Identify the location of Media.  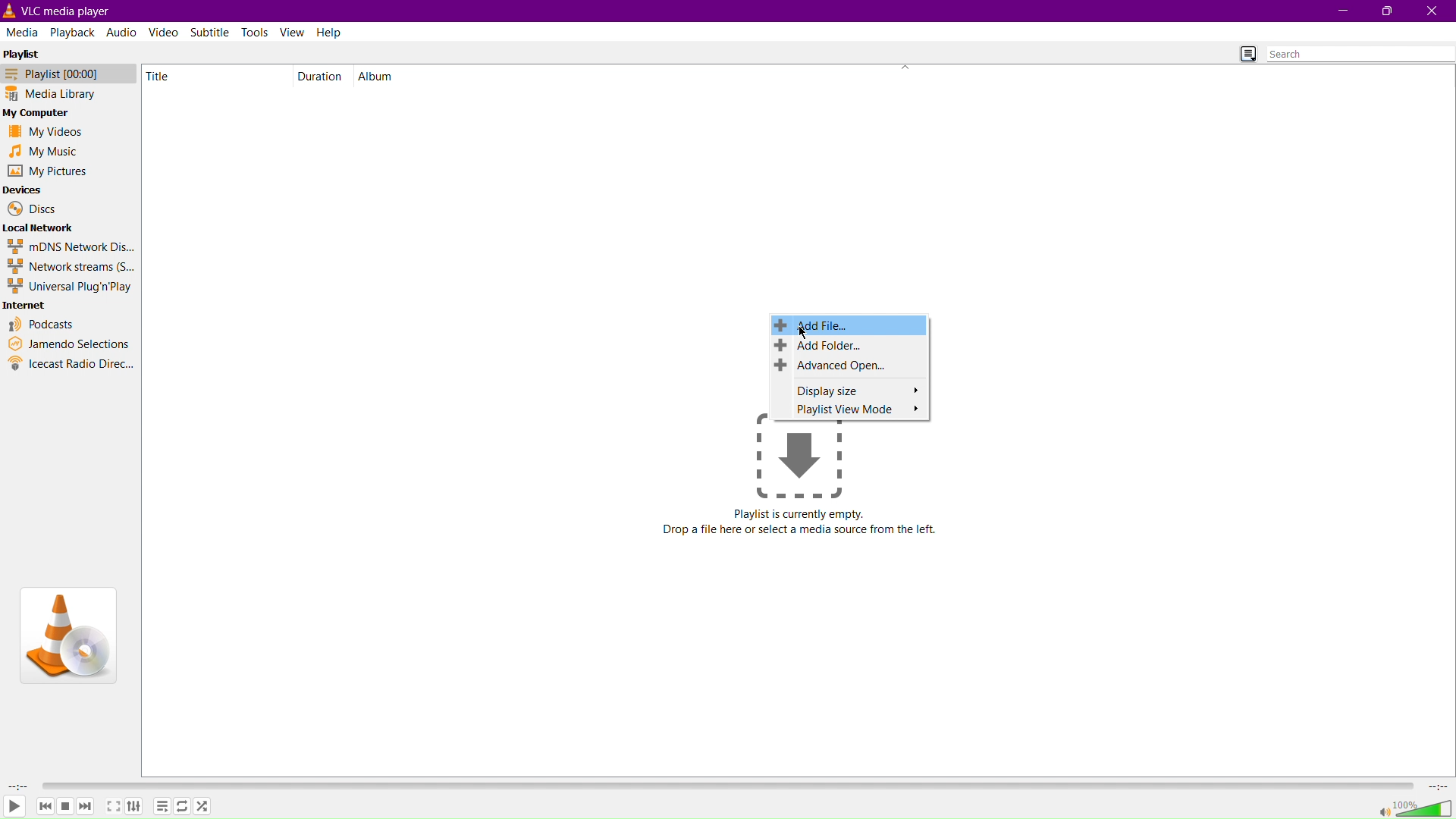
(23, 31).